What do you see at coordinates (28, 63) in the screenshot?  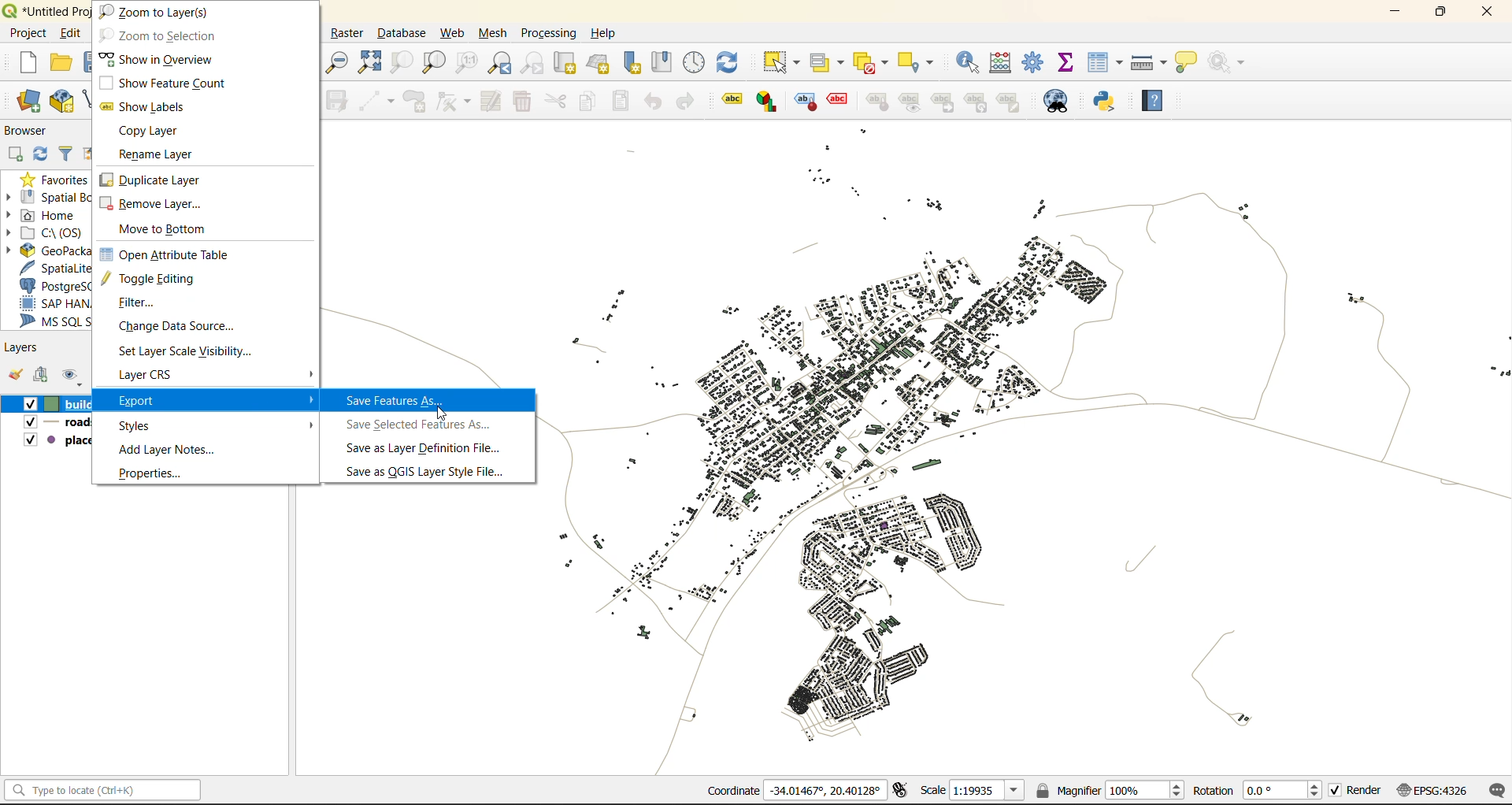 I see `new` at bounding box center [28, 63].